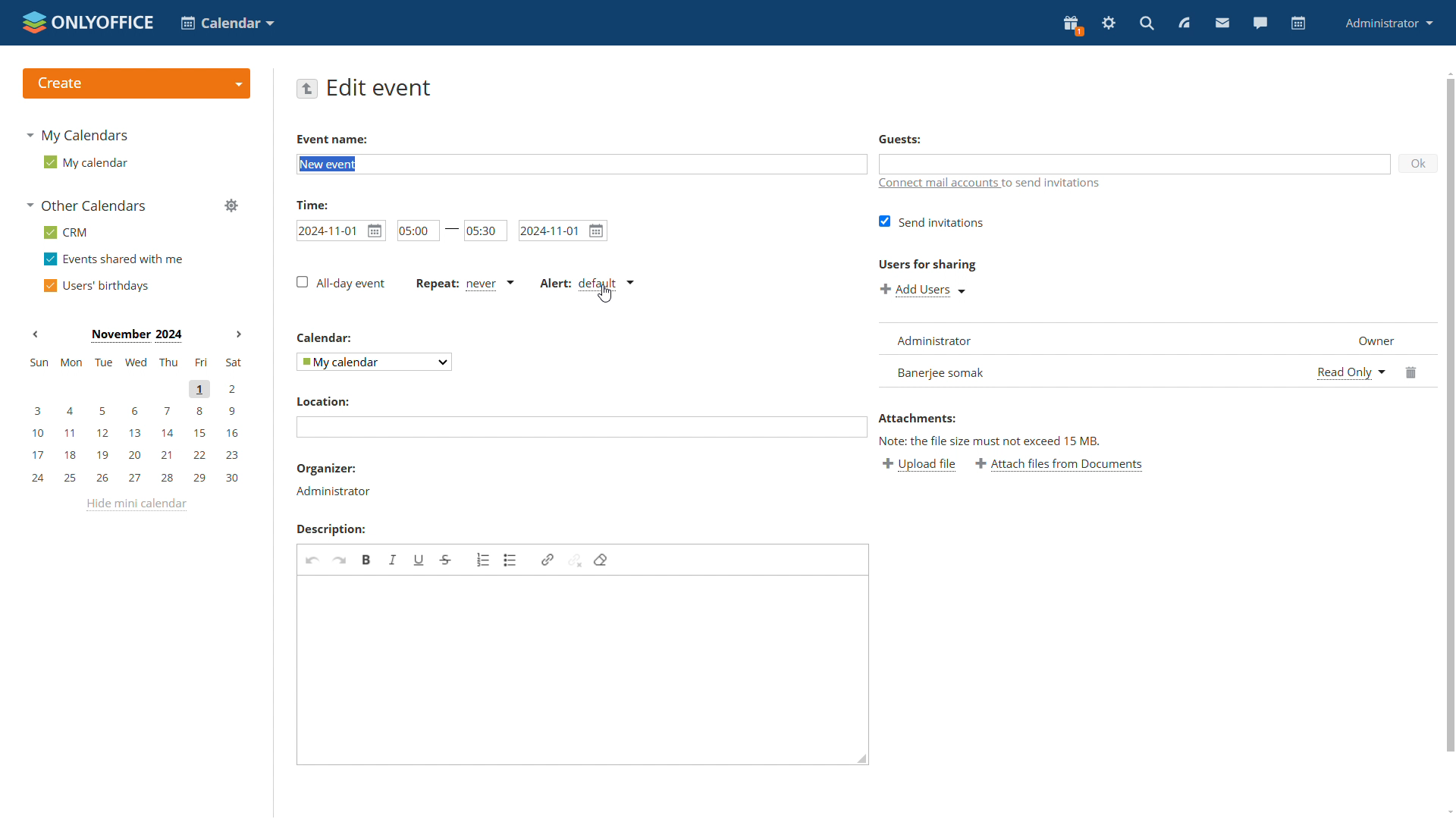  Describe the element at coordinates (1414, 370) in the screenshot. I see `delete` at that location.